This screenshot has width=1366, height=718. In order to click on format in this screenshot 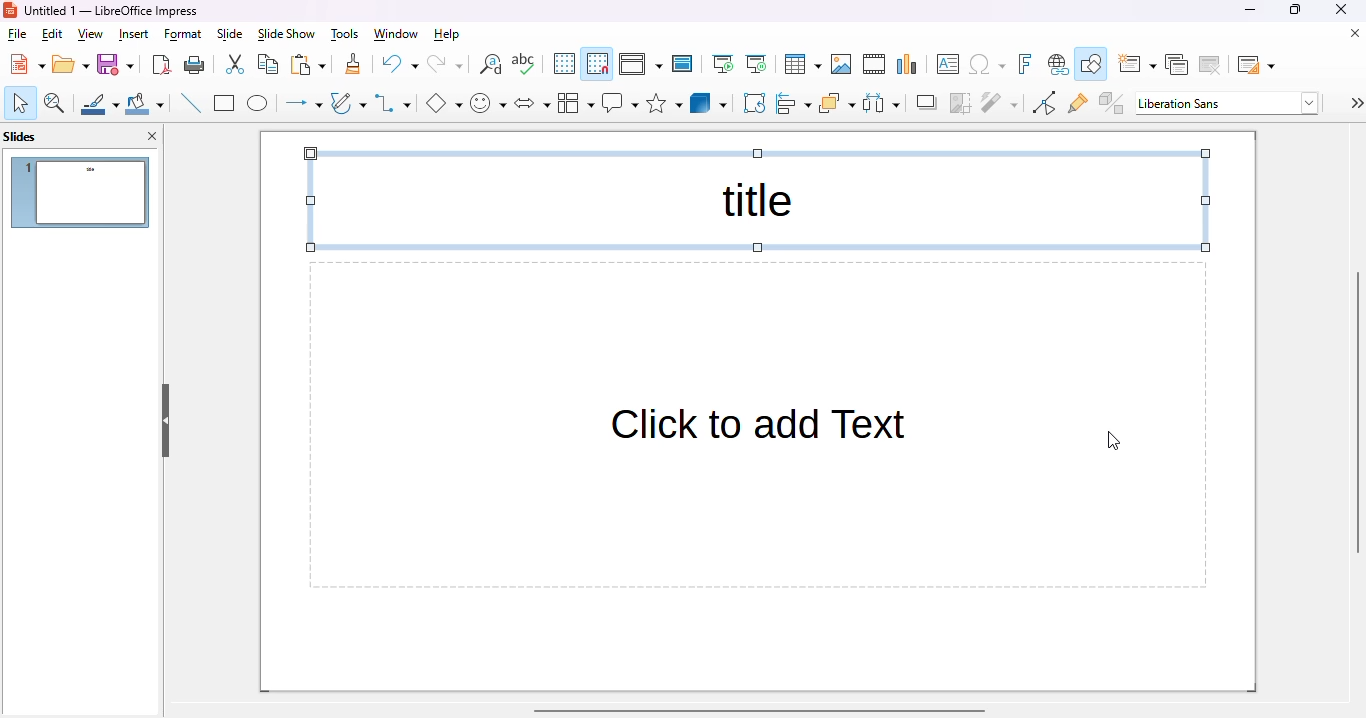, I will do `click(183, 35)`.